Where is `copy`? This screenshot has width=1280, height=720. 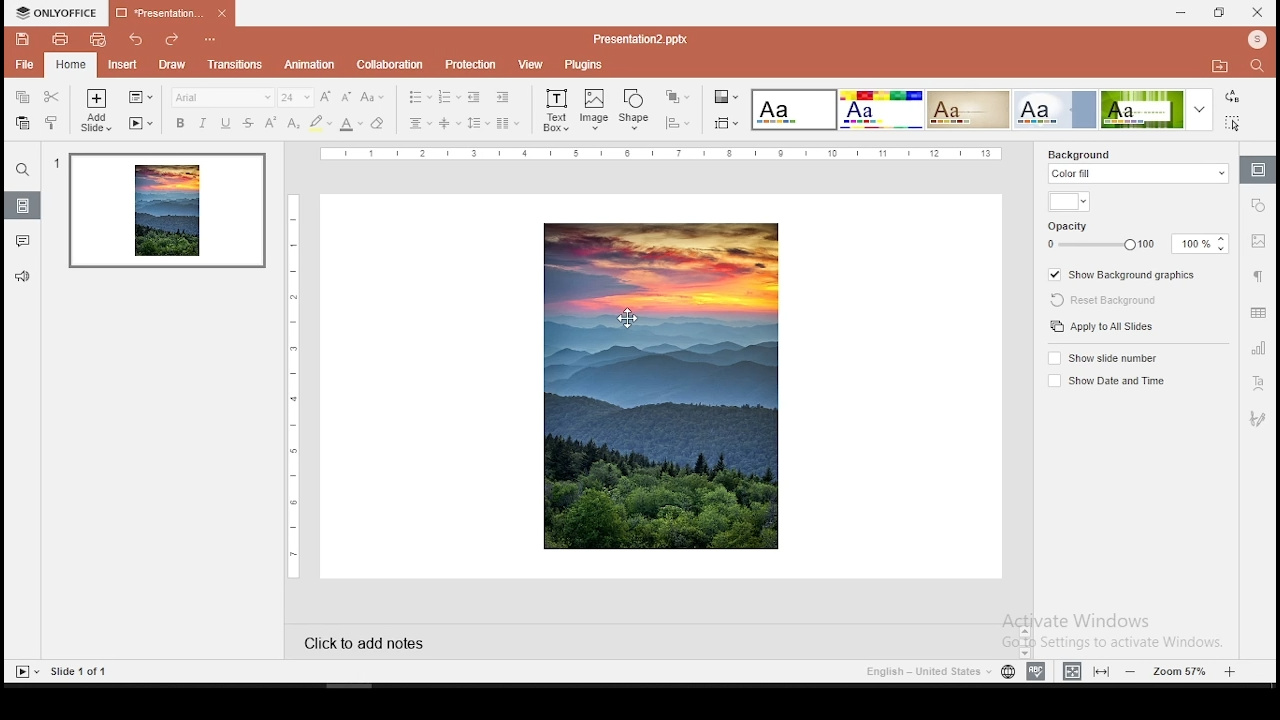
copy is located at coordinates (20, 98).